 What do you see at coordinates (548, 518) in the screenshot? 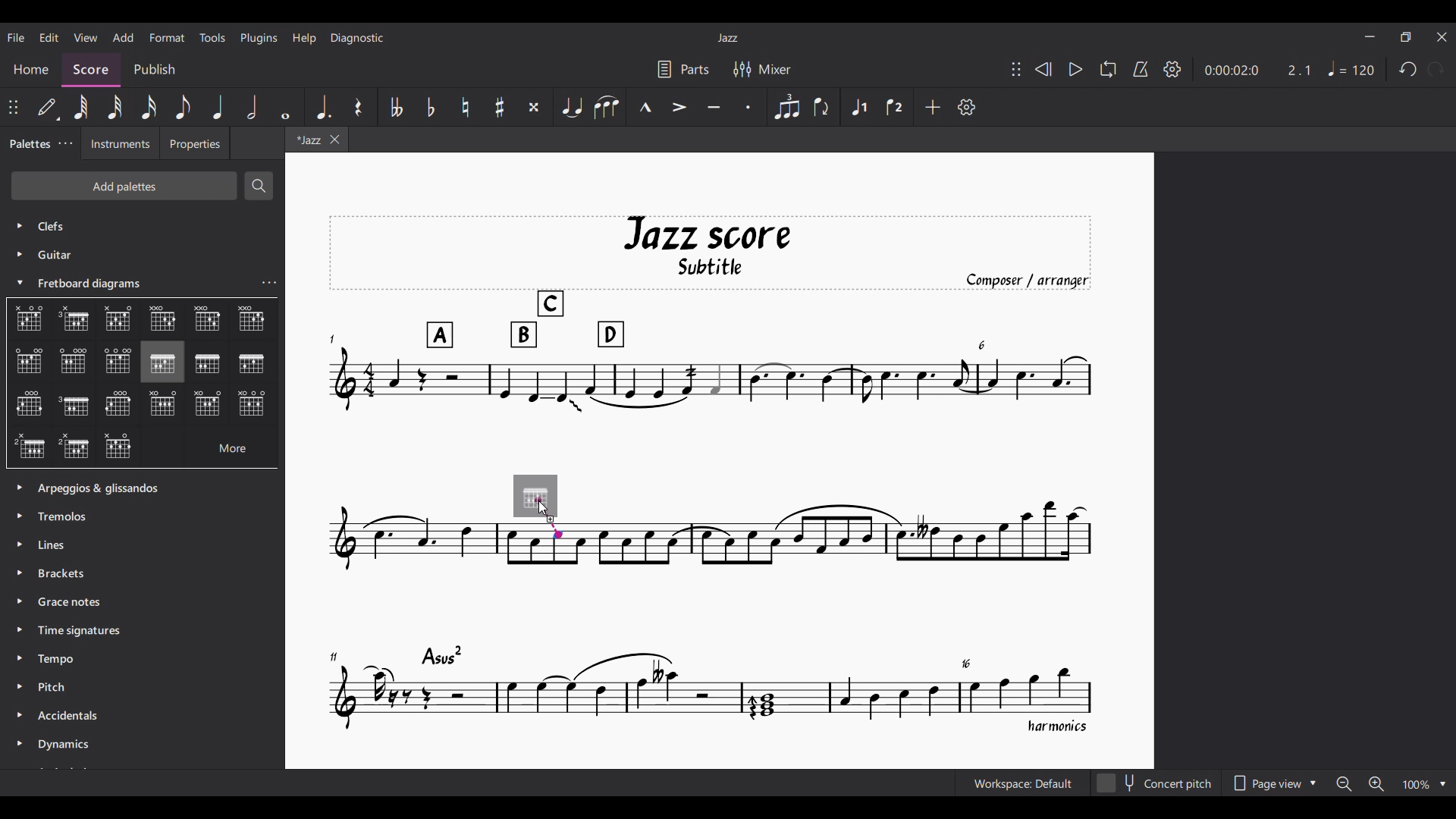
I see `Indicates point of attachment ` at bounding box center [548, 518].